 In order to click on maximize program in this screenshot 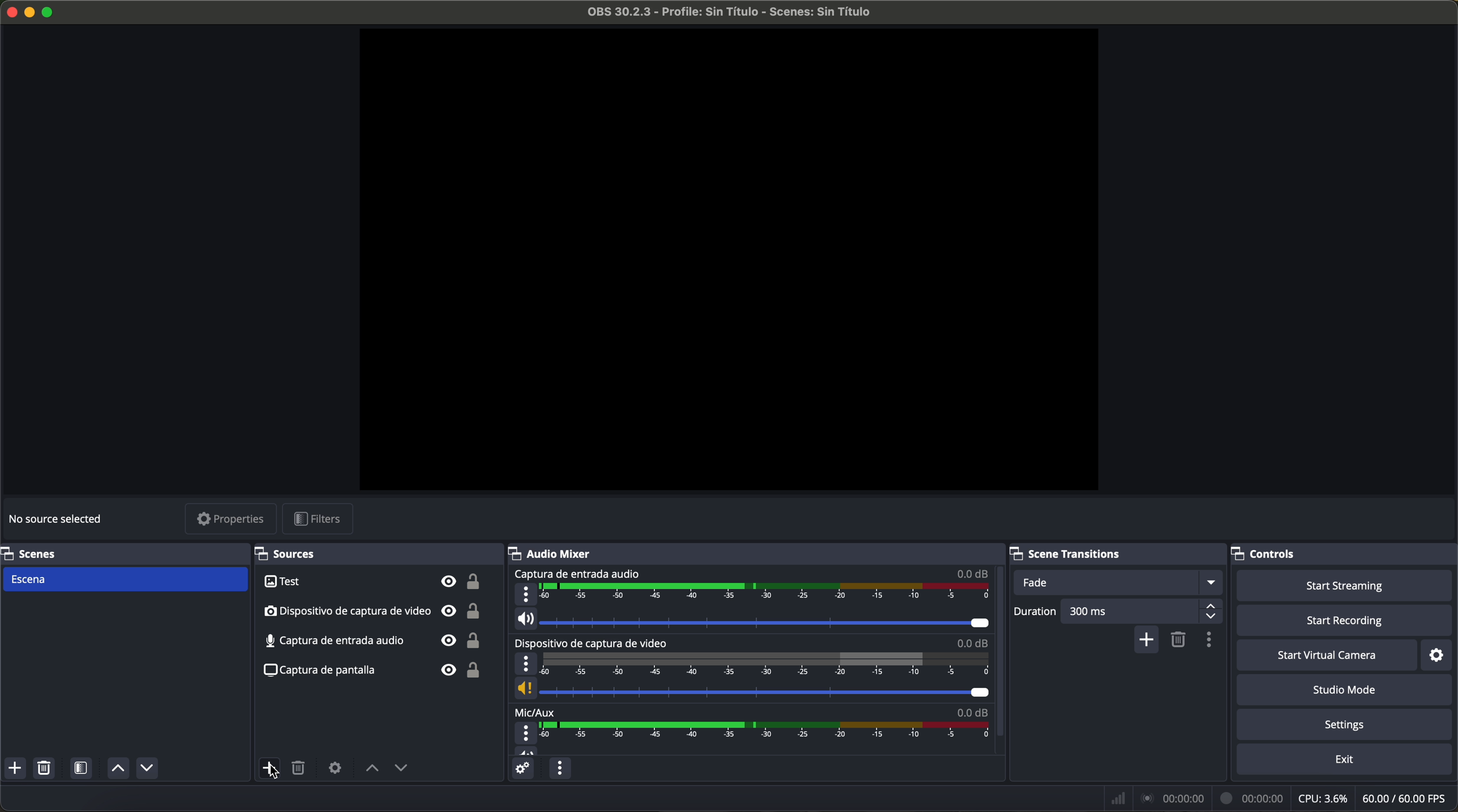, I will do `click(50, 14)`.